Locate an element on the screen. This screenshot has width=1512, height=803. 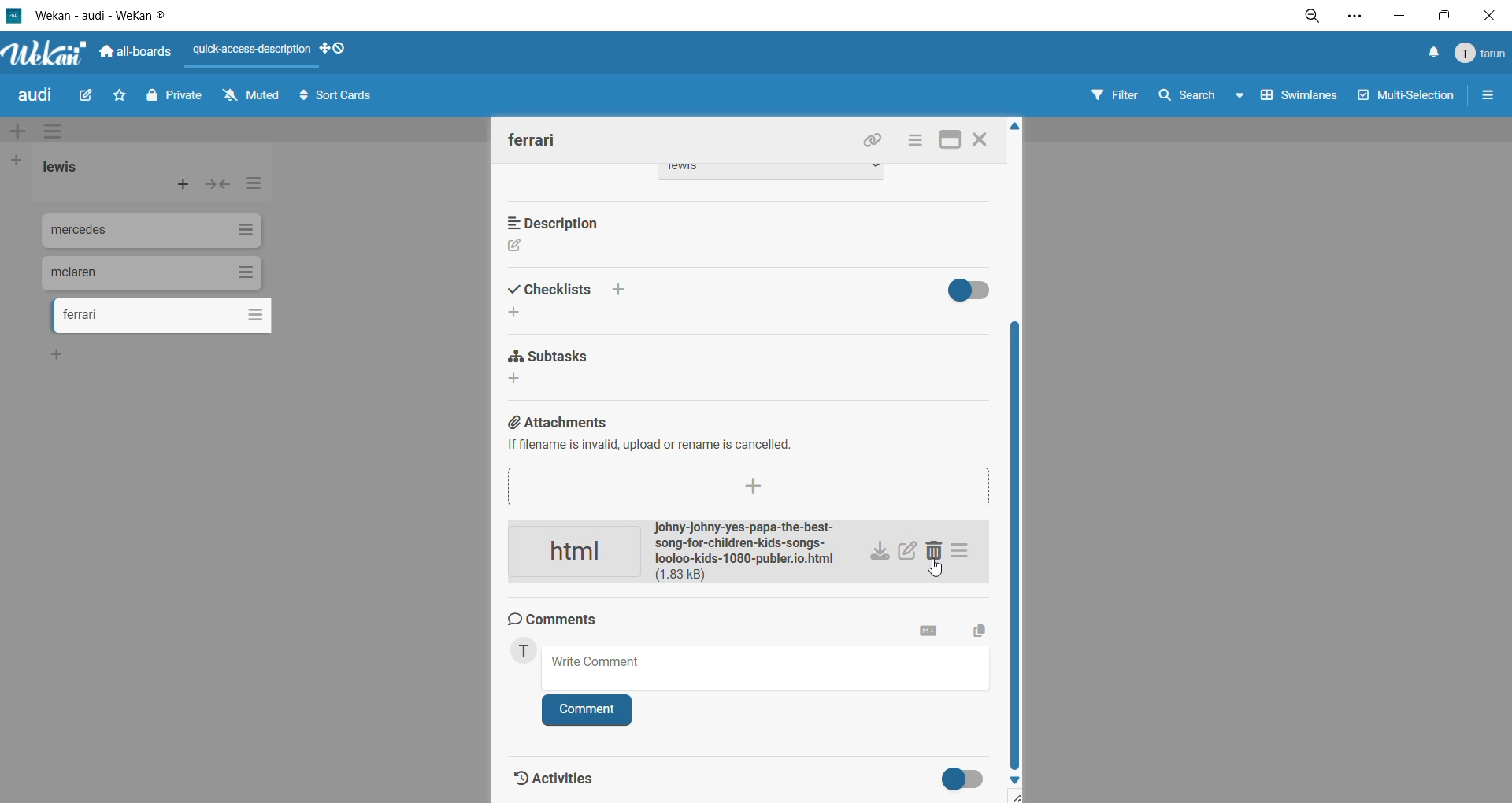
hide completed checklist is located at coordinates (976, 290).